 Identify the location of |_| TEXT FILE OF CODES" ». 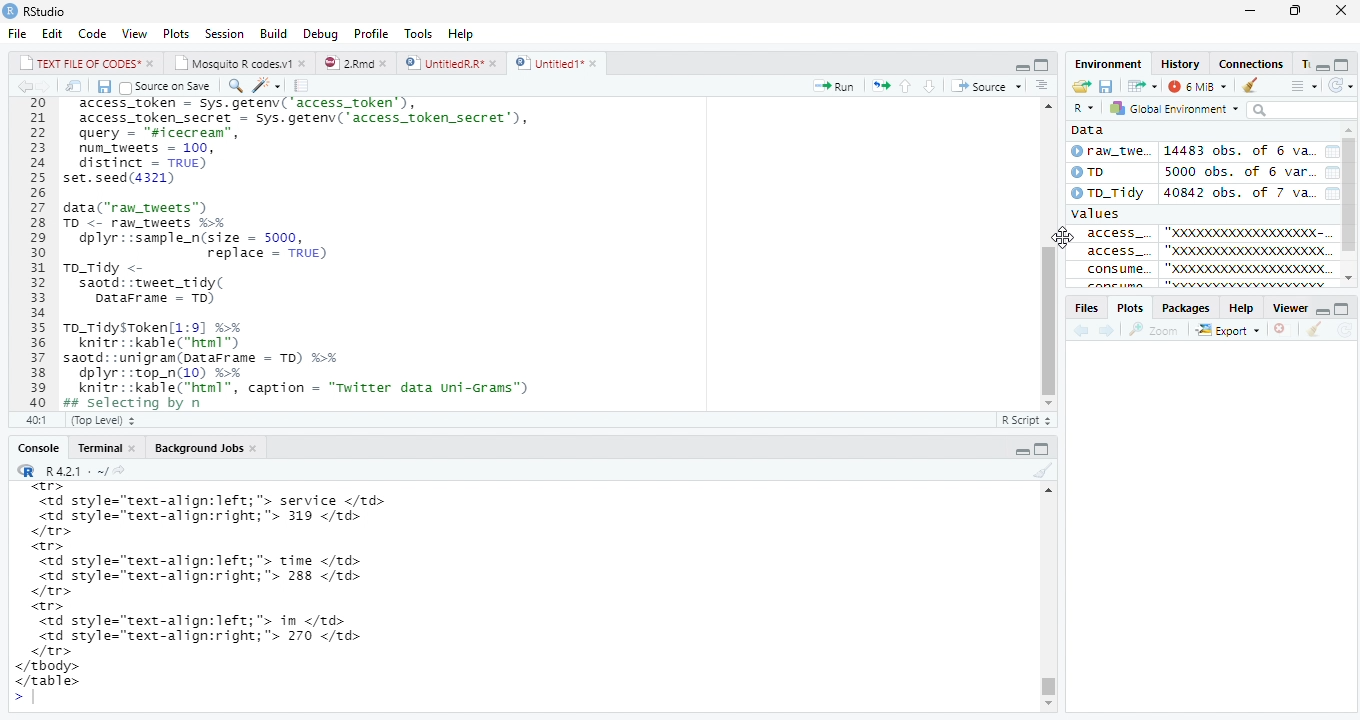
(76, 62).